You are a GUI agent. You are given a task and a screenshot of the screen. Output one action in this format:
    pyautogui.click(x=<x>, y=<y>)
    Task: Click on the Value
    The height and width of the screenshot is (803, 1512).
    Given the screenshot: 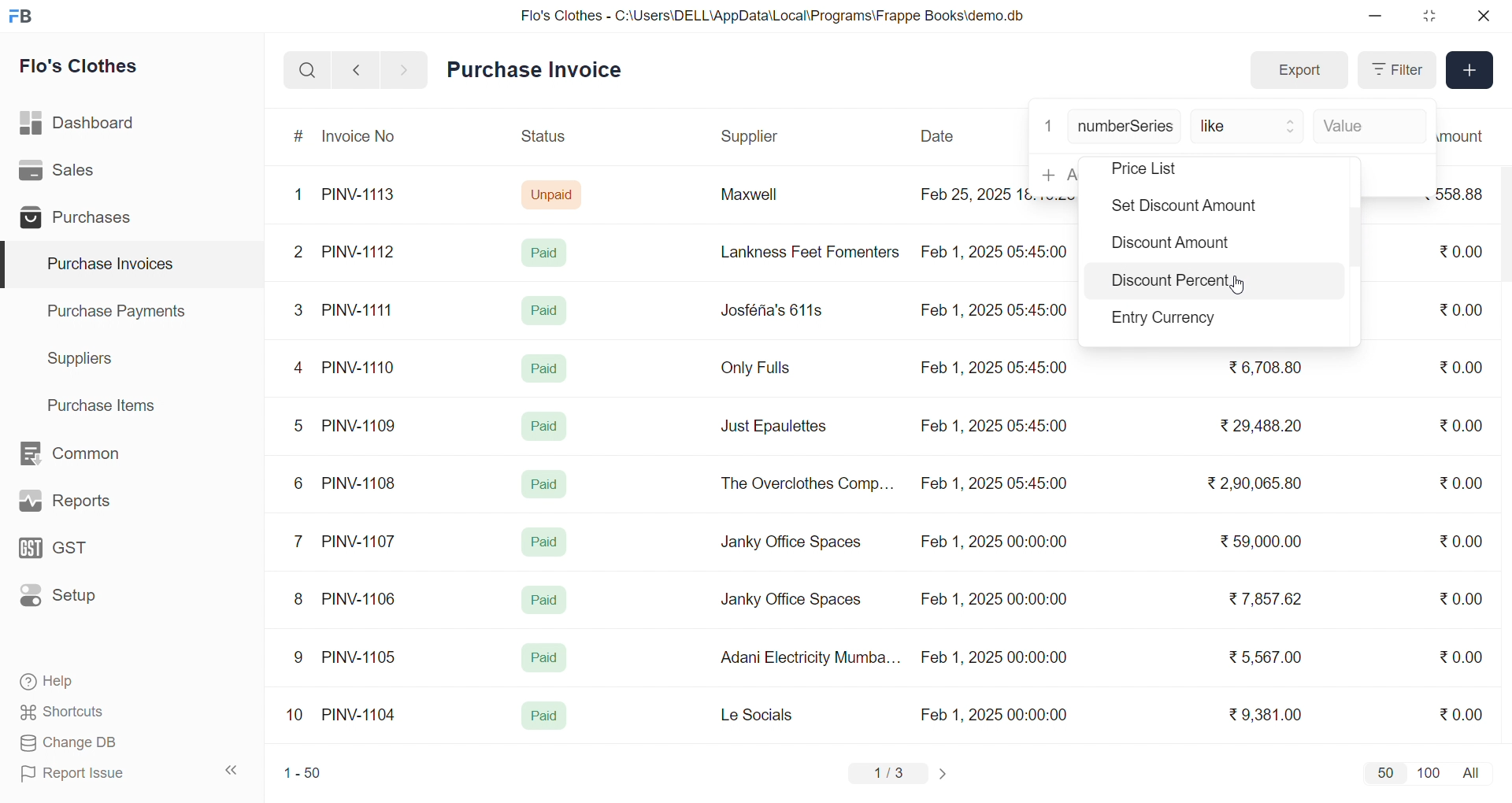 What is the action you would take?
    pyautogui.click(x=1366, y=128)
    